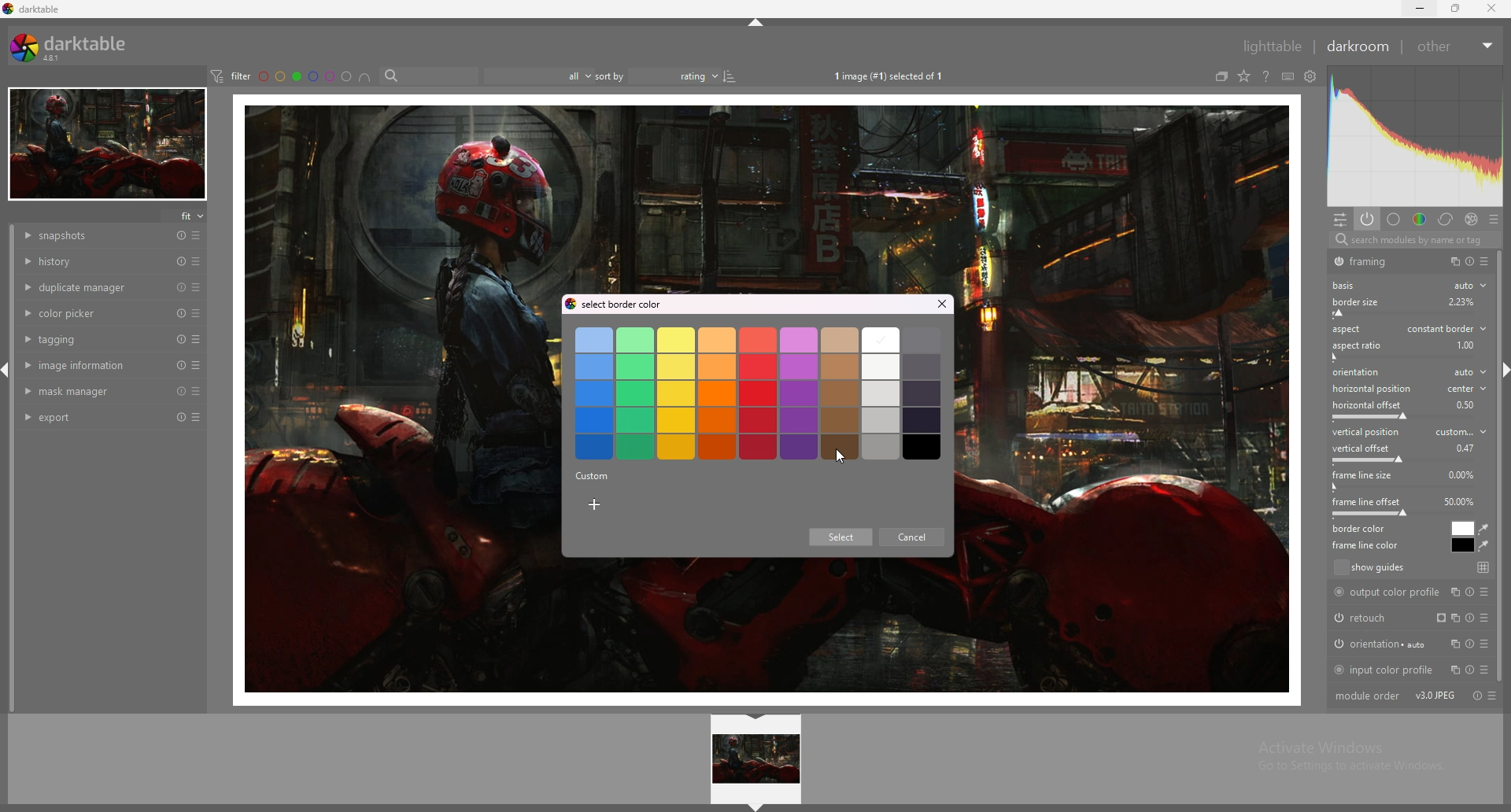 Image resolution: width=1511 pixels, height=812 pixels. What do you see at coordinates (684, 76) in the screenshot?
I see `rating` at bounding box center [684, 76].